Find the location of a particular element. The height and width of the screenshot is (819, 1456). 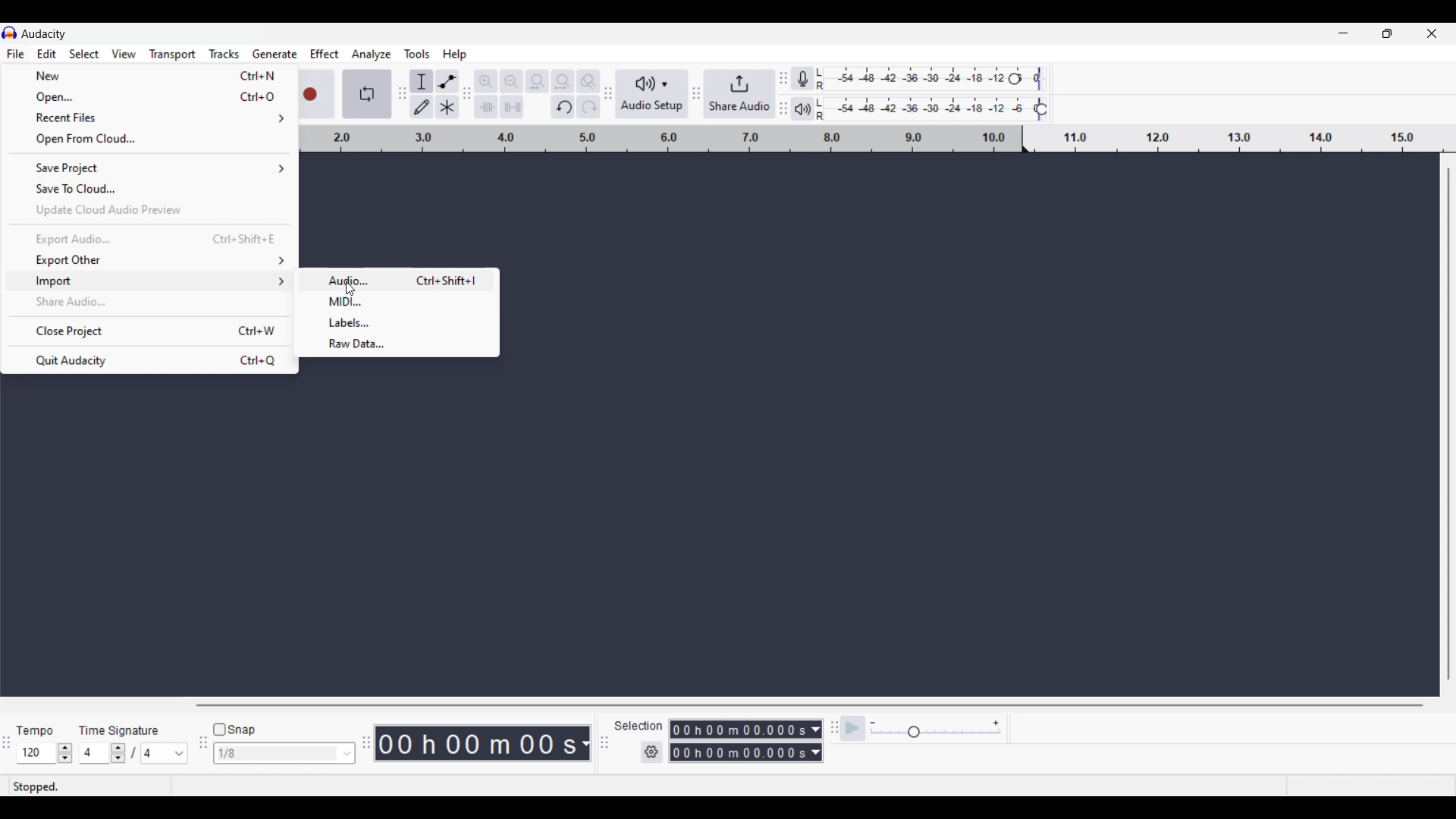

Min. playback speed is located at coordinates (873, 723).